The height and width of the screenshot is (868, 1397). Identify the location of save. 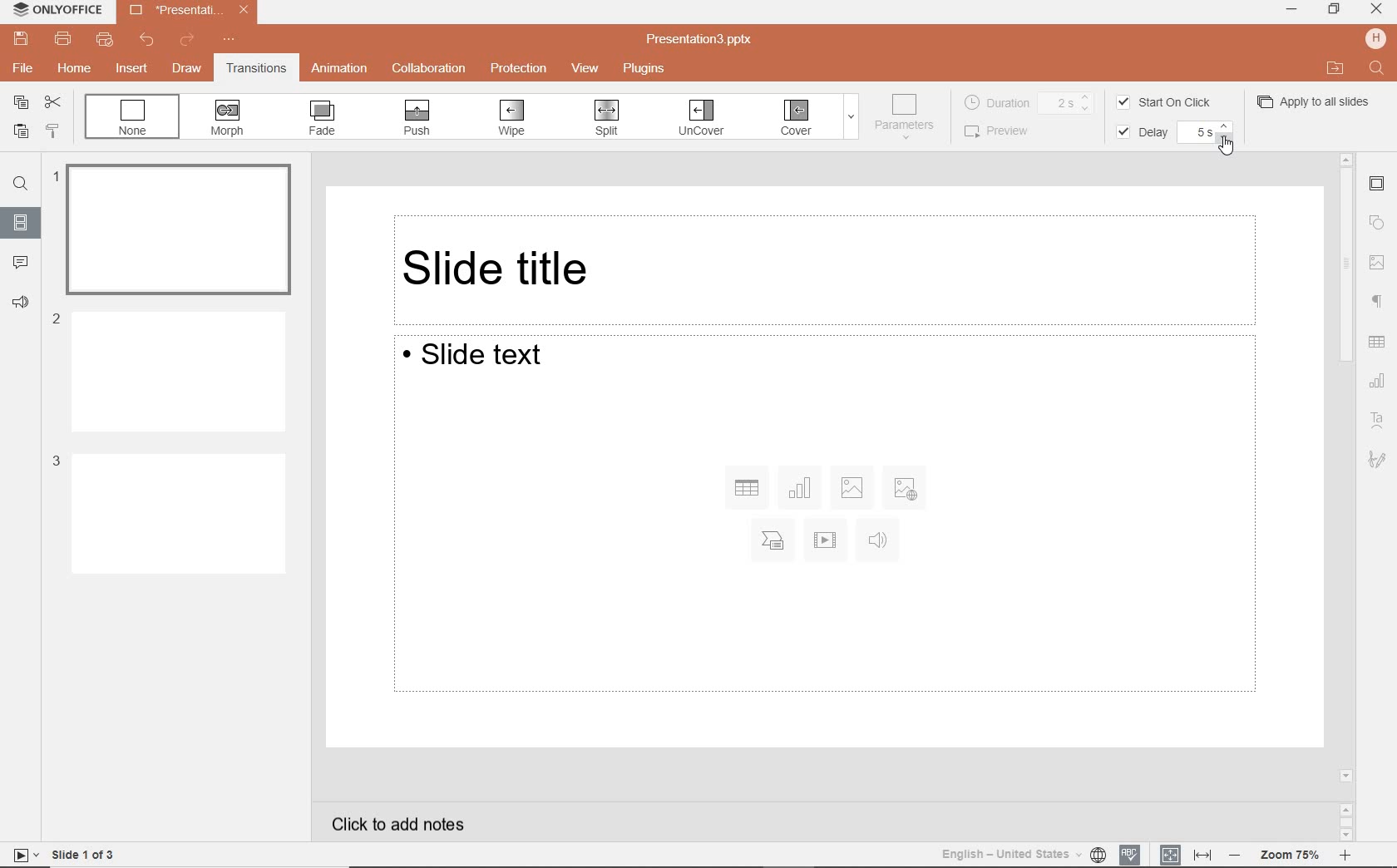
(20, 39).